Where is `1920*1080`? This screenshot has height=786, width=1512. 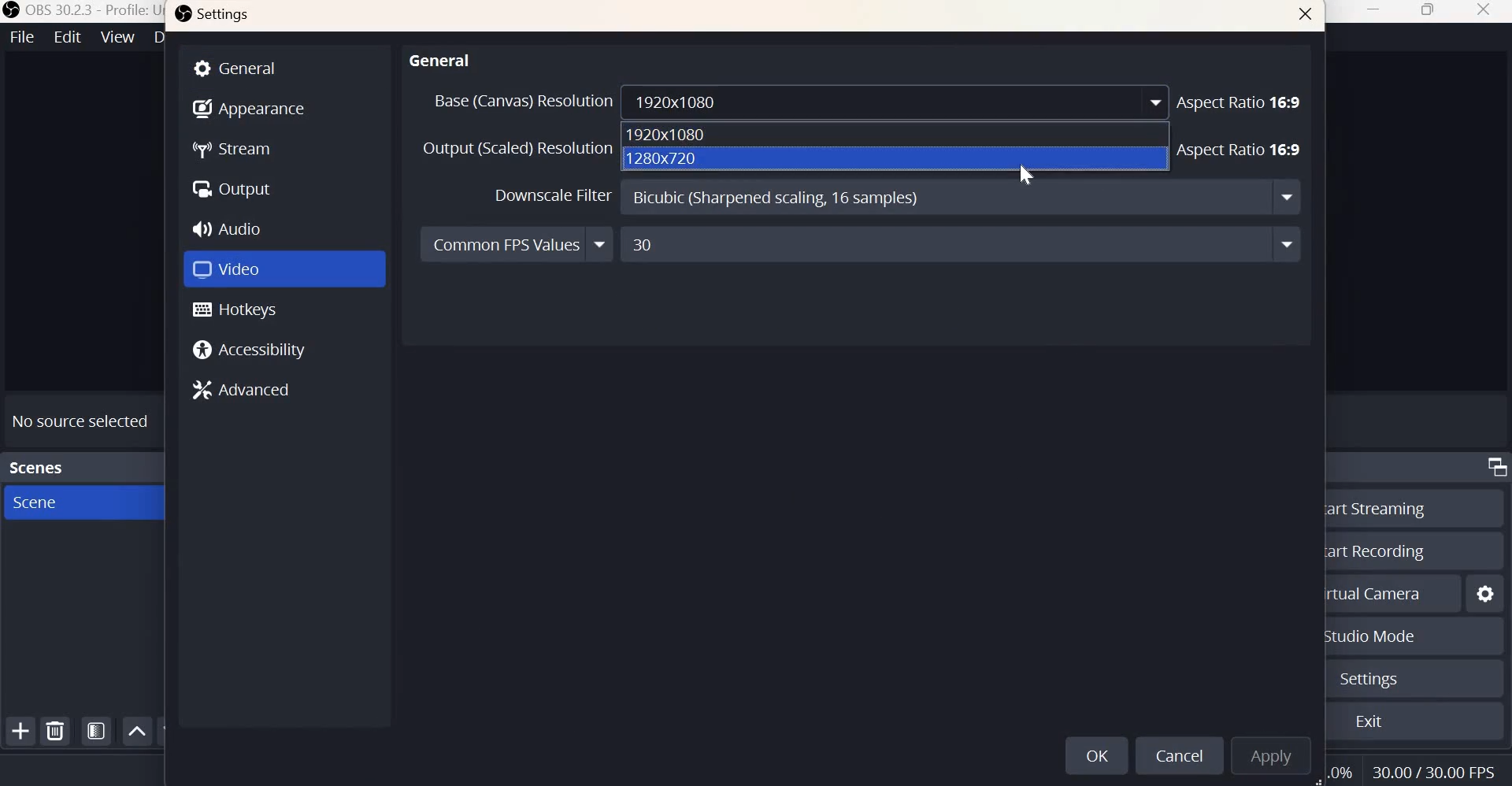 1920*1080 is located at coordinates (899, 102).